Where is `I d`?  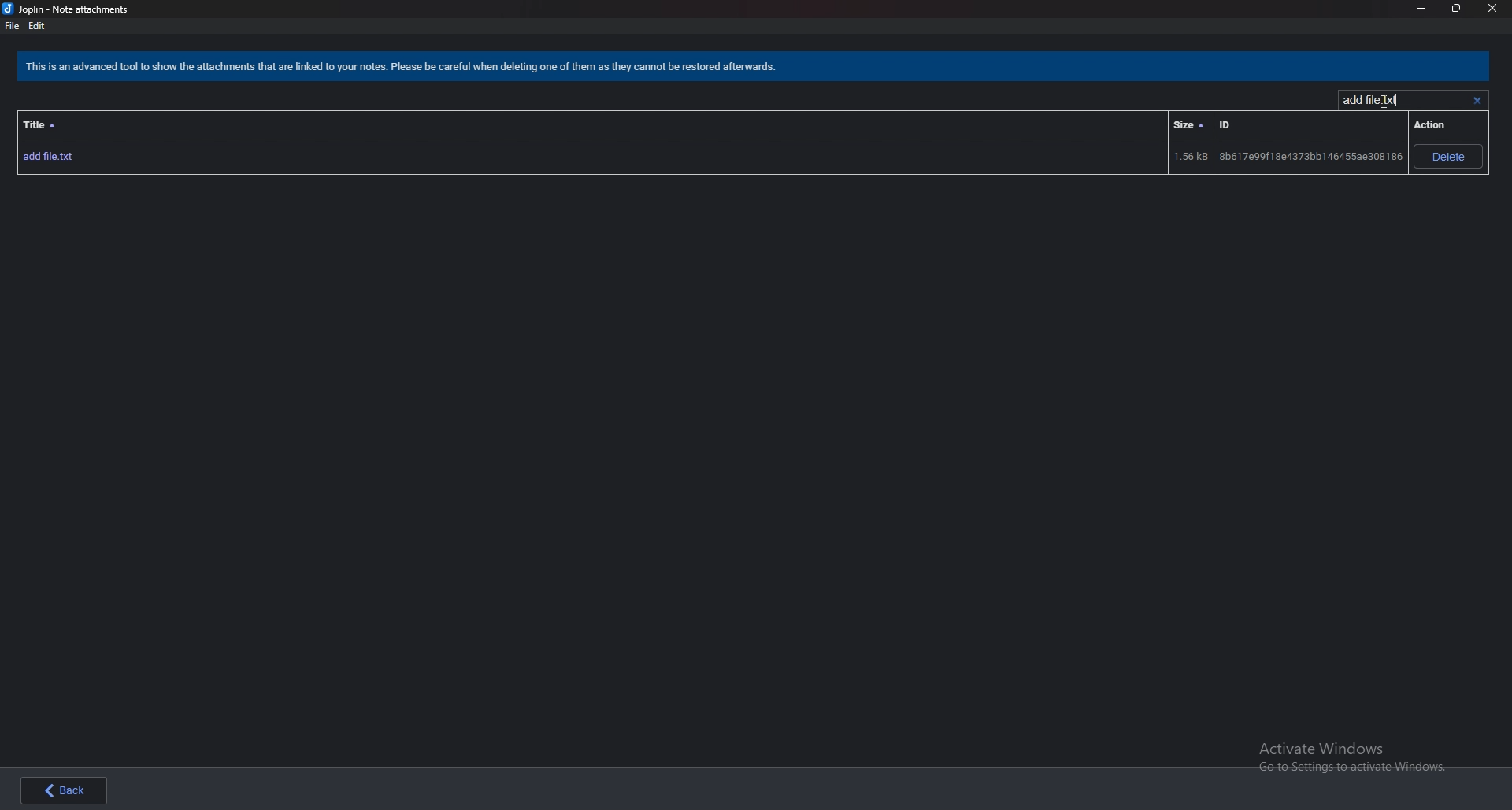 I d is located at coordinates (1228, 124).